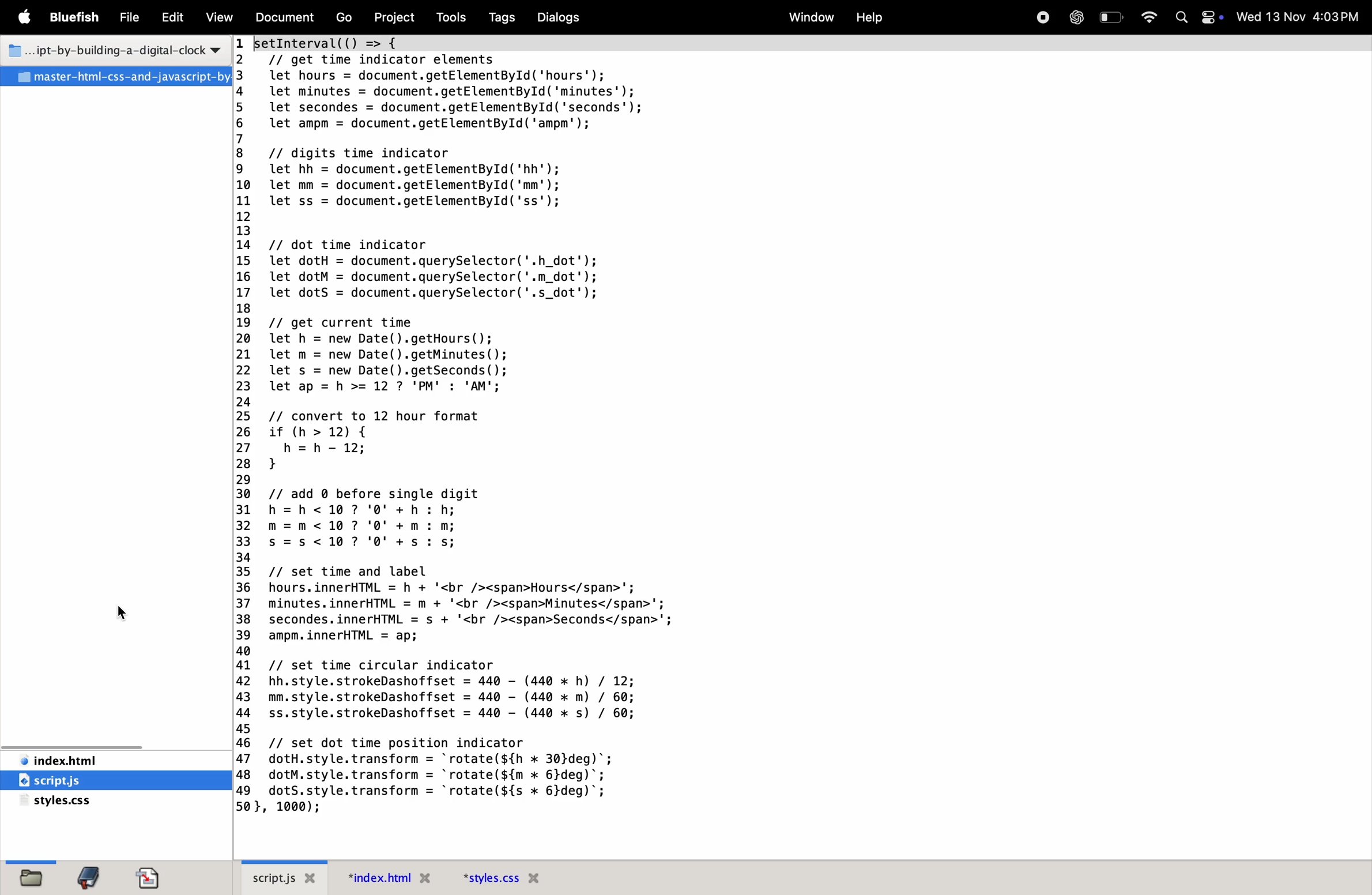 The height and width of the screenshot is (895, 1372). Describe the element at coordinates (1213, 17) in the screenshot. I see `apple widgets` at that location.